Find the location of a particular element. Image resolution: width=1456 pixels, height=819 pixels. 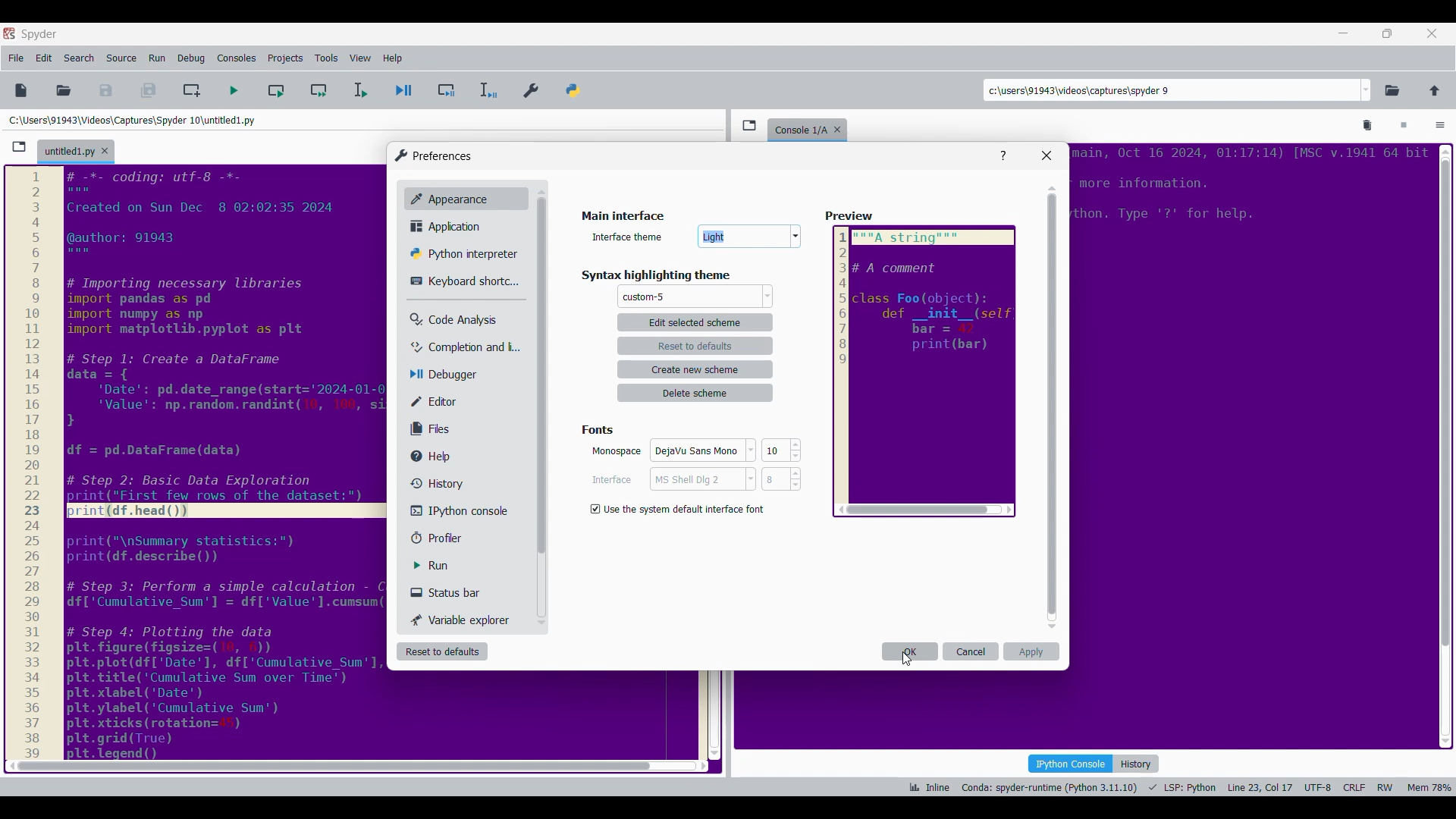

Change to parent directory is located at coordinates (1435, 90).